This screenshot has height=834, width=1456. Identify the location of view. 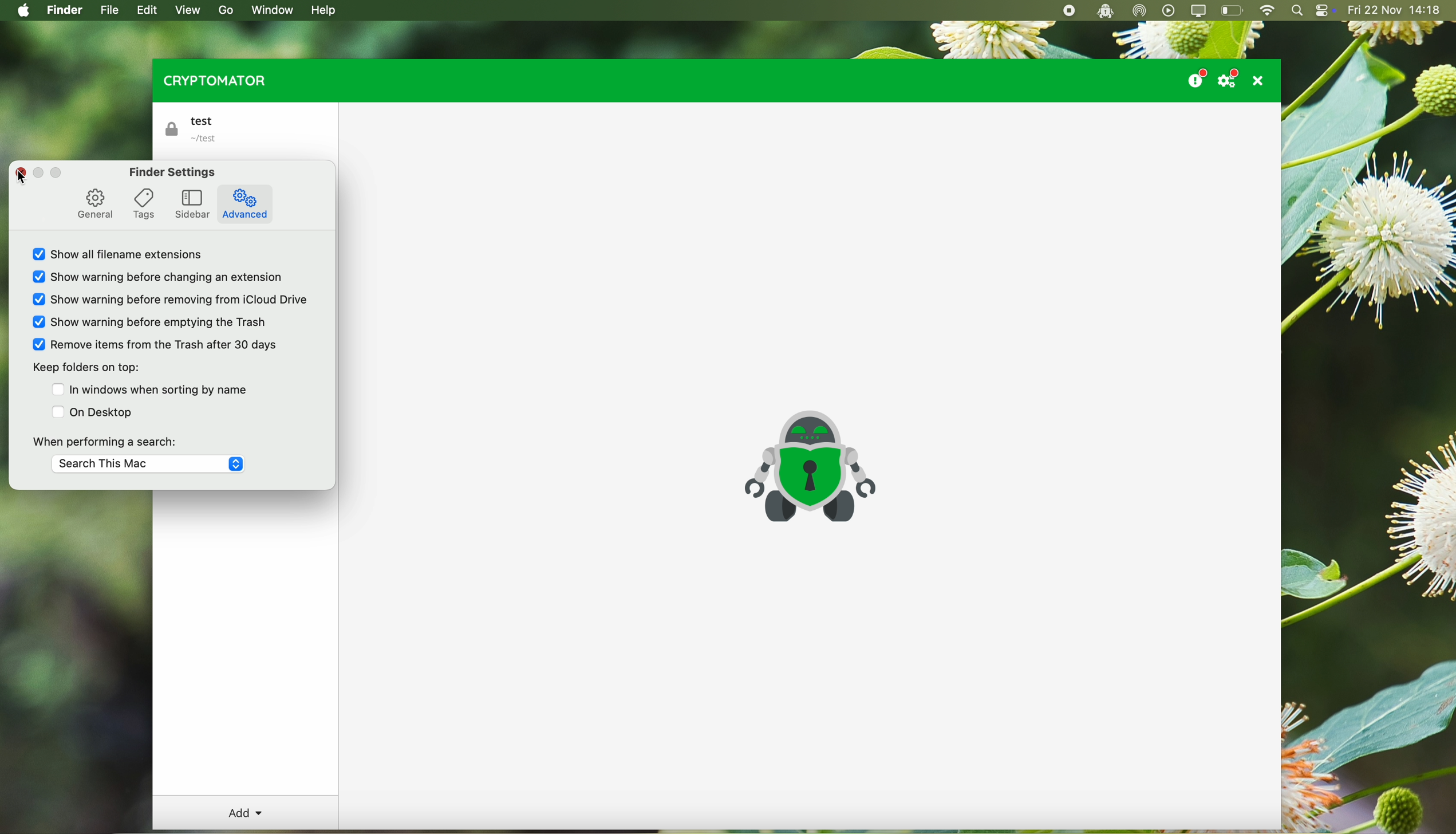
(187, 10).